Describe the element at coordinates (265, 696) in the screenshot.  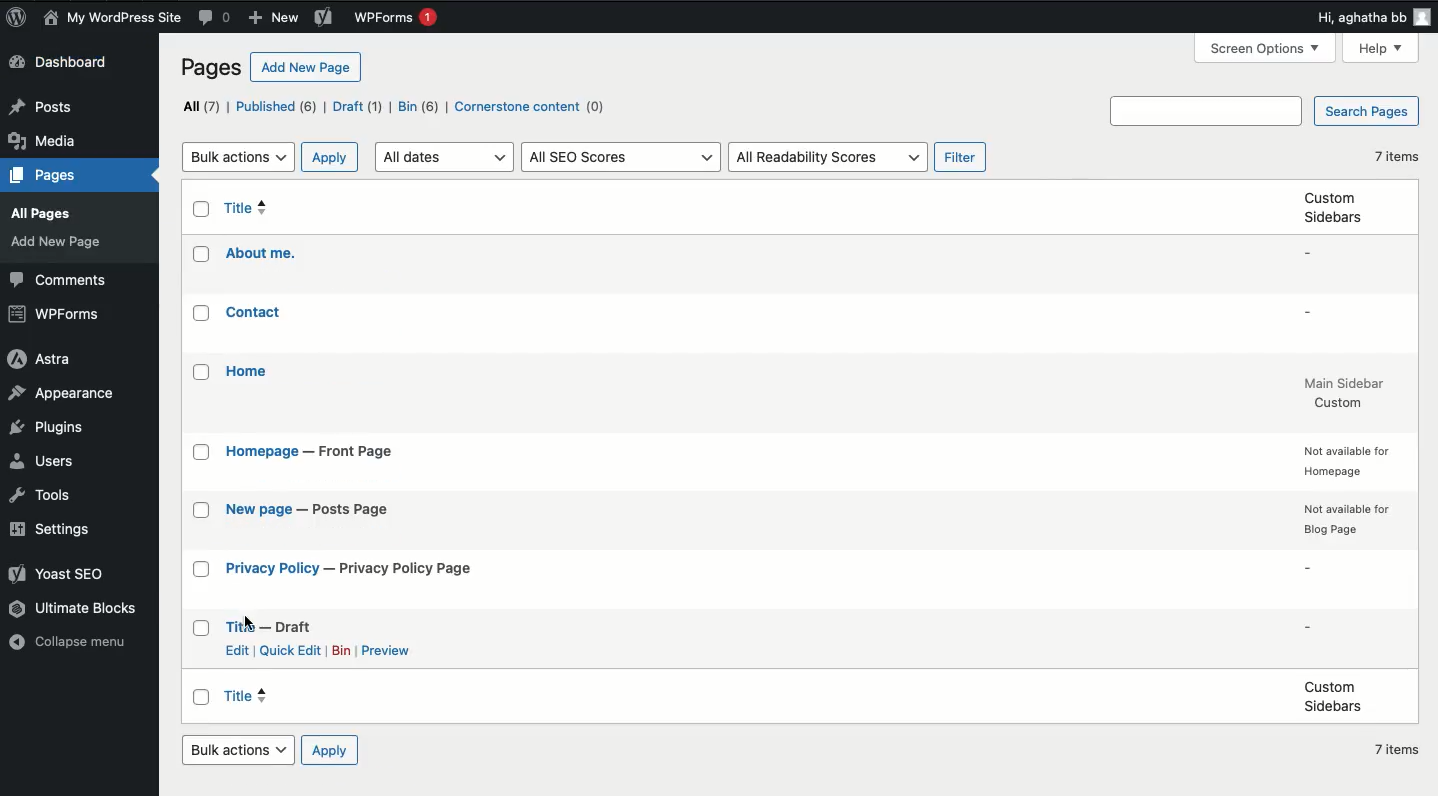
I see `Title` at that location.